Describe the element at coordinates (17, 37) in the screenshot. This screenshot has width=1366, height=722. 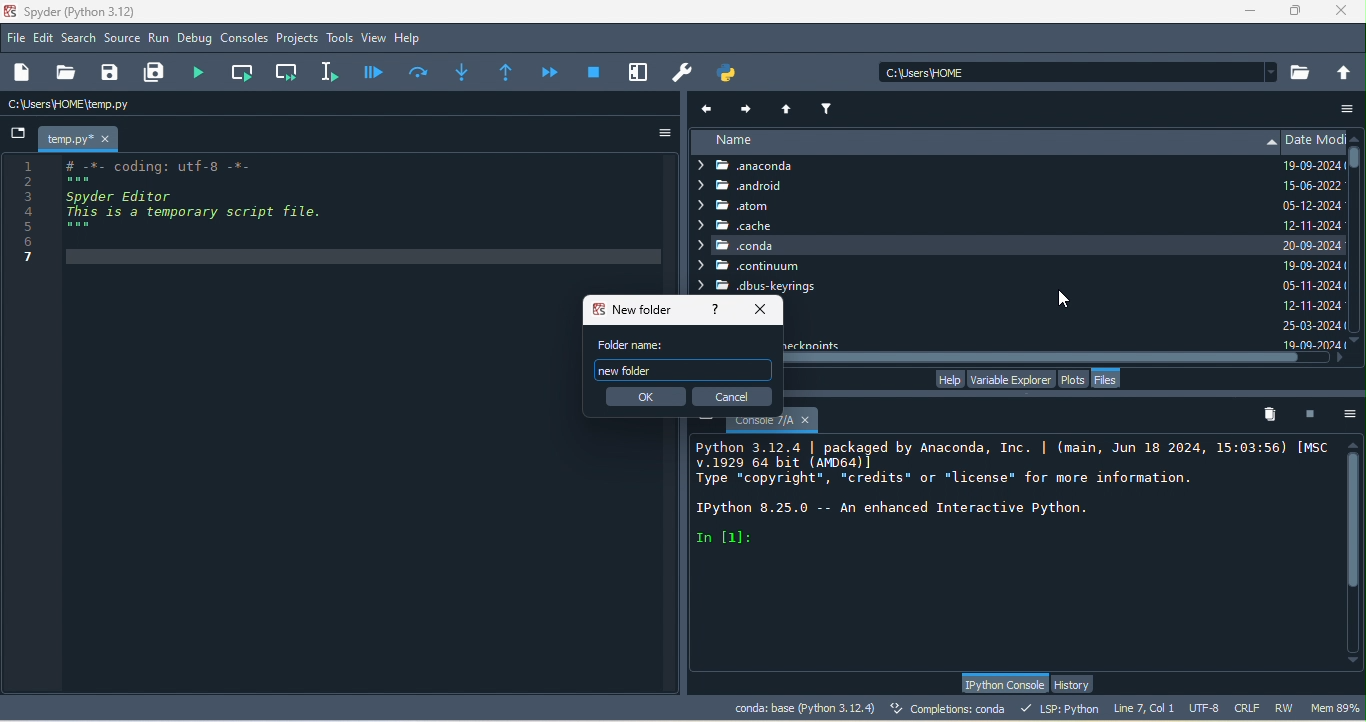
I see `file` at that location.